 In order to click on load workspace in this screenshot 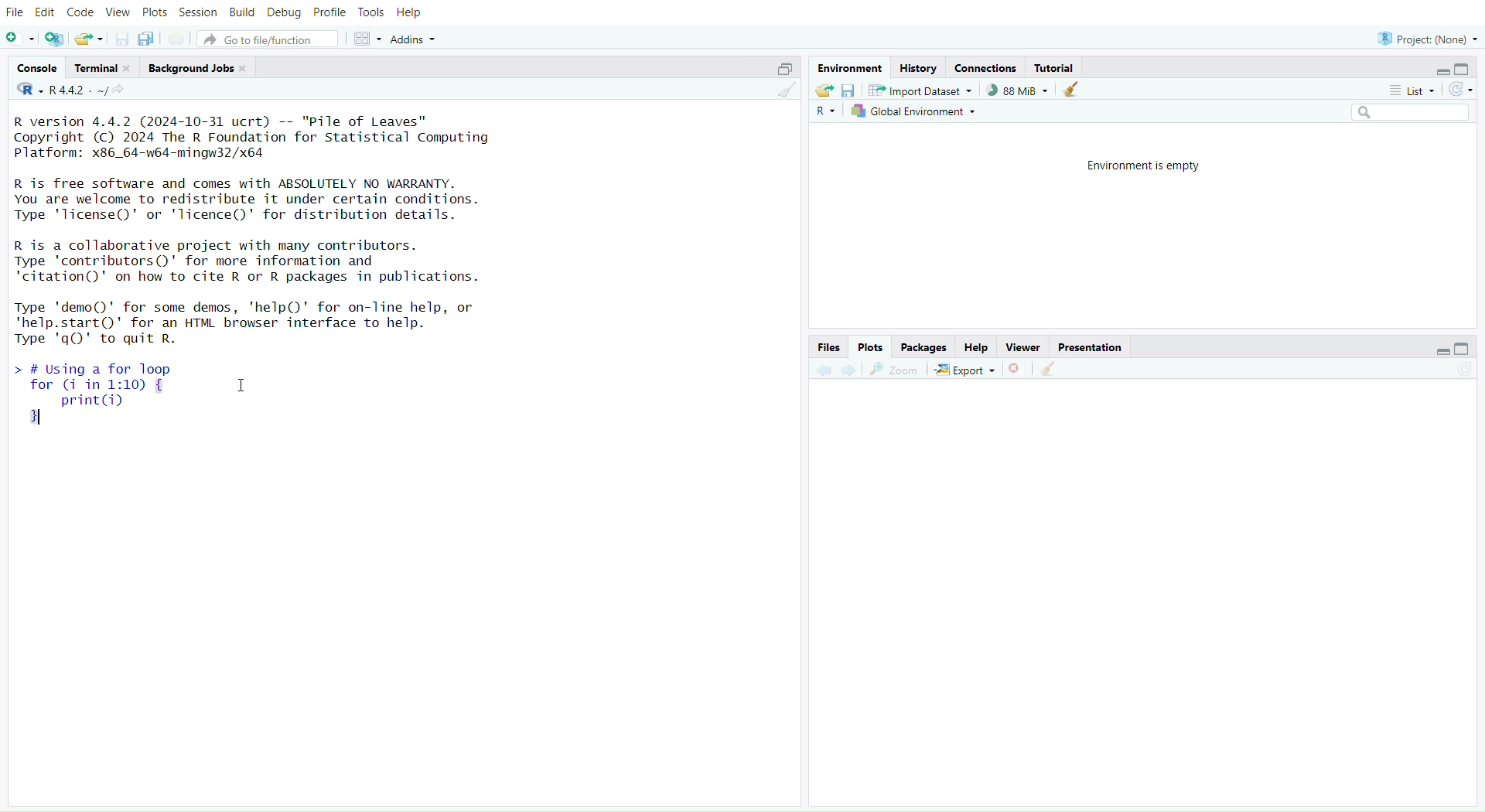, I will do `click(824, 92)`.